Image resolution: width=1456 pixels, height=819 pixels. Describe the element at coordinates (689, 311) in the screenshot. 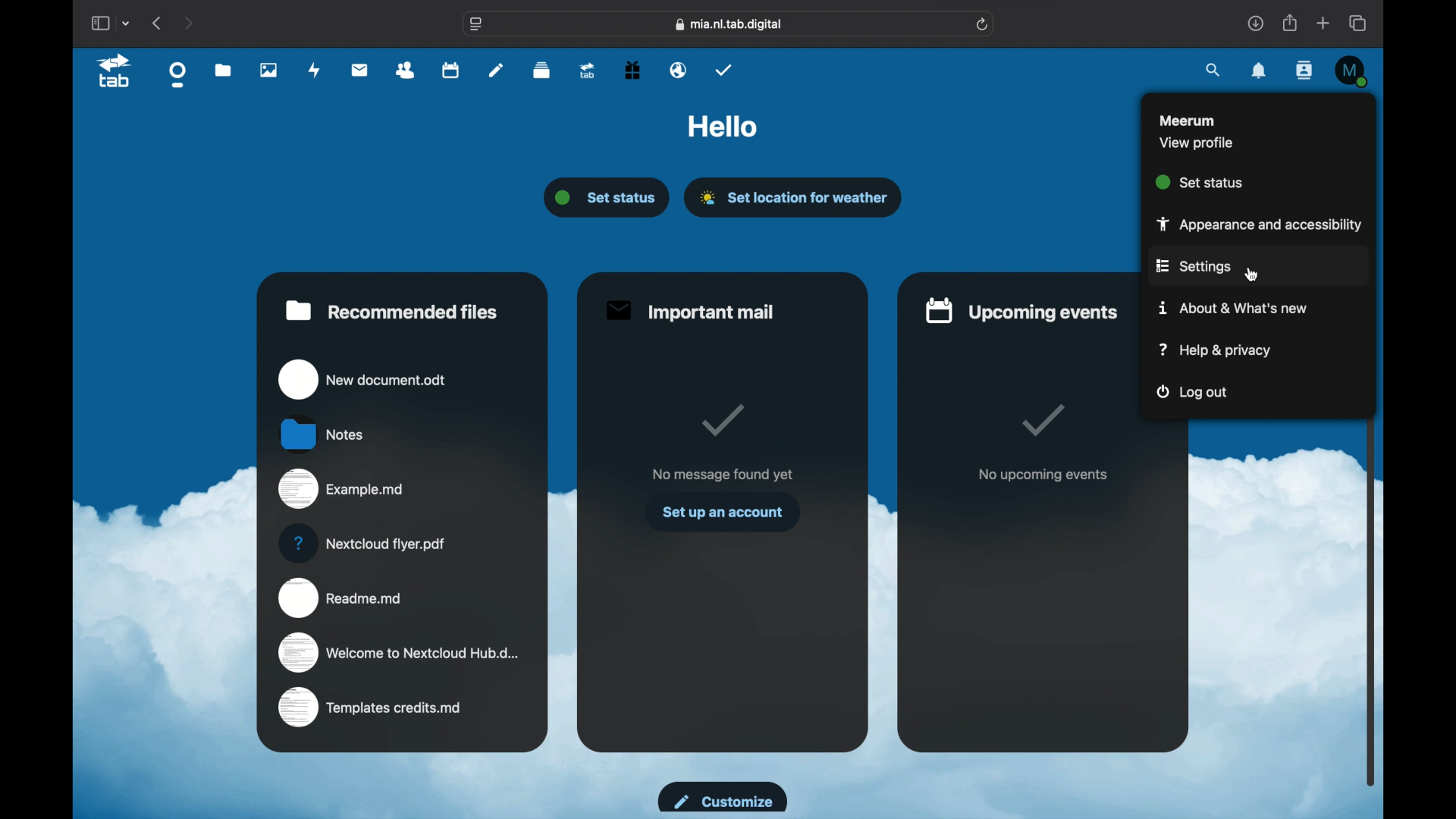

I see `important mail` at that location.